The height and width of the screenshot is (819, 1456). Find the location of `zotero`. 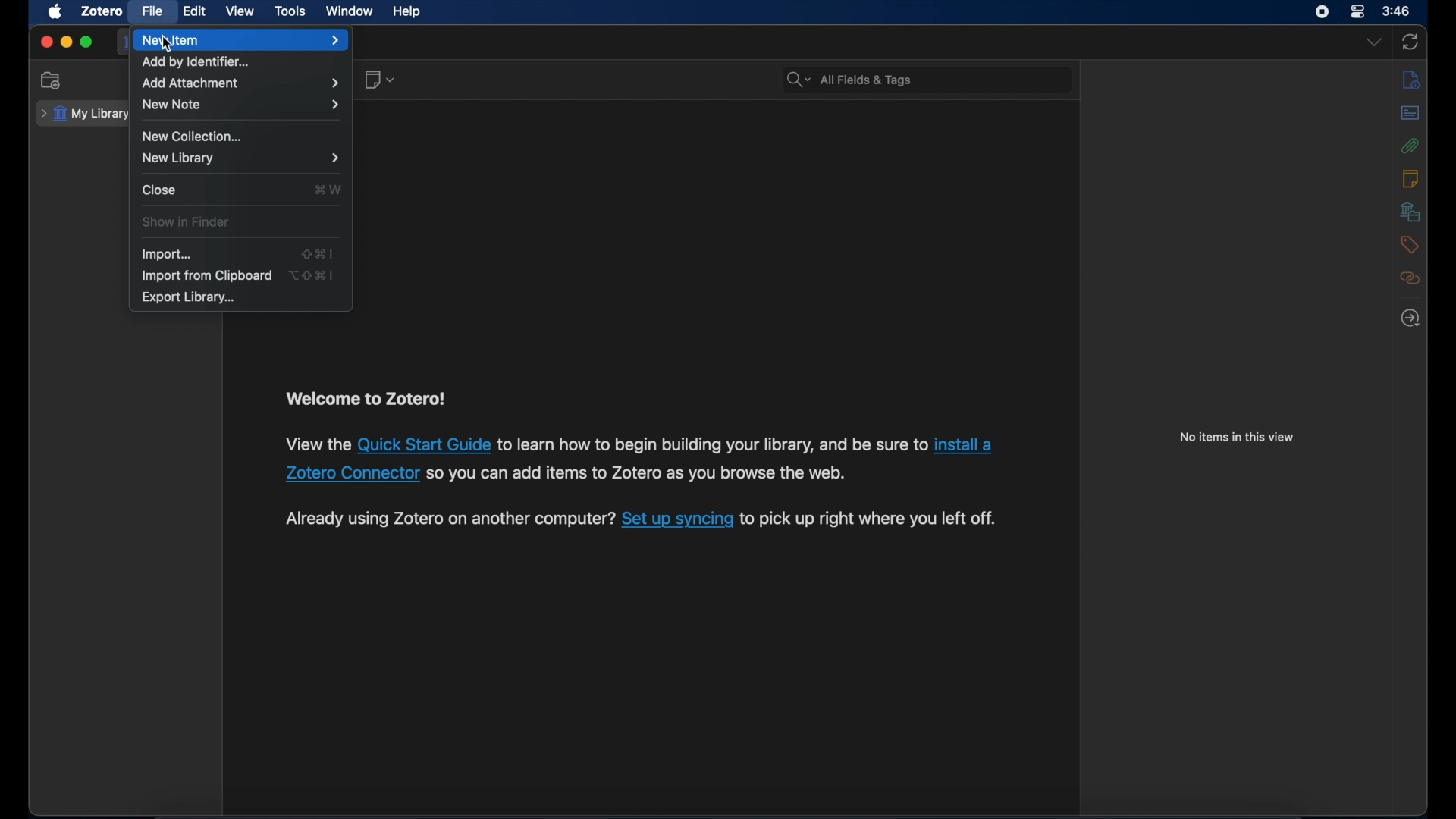

zotero is located at coordinates (104, 10).